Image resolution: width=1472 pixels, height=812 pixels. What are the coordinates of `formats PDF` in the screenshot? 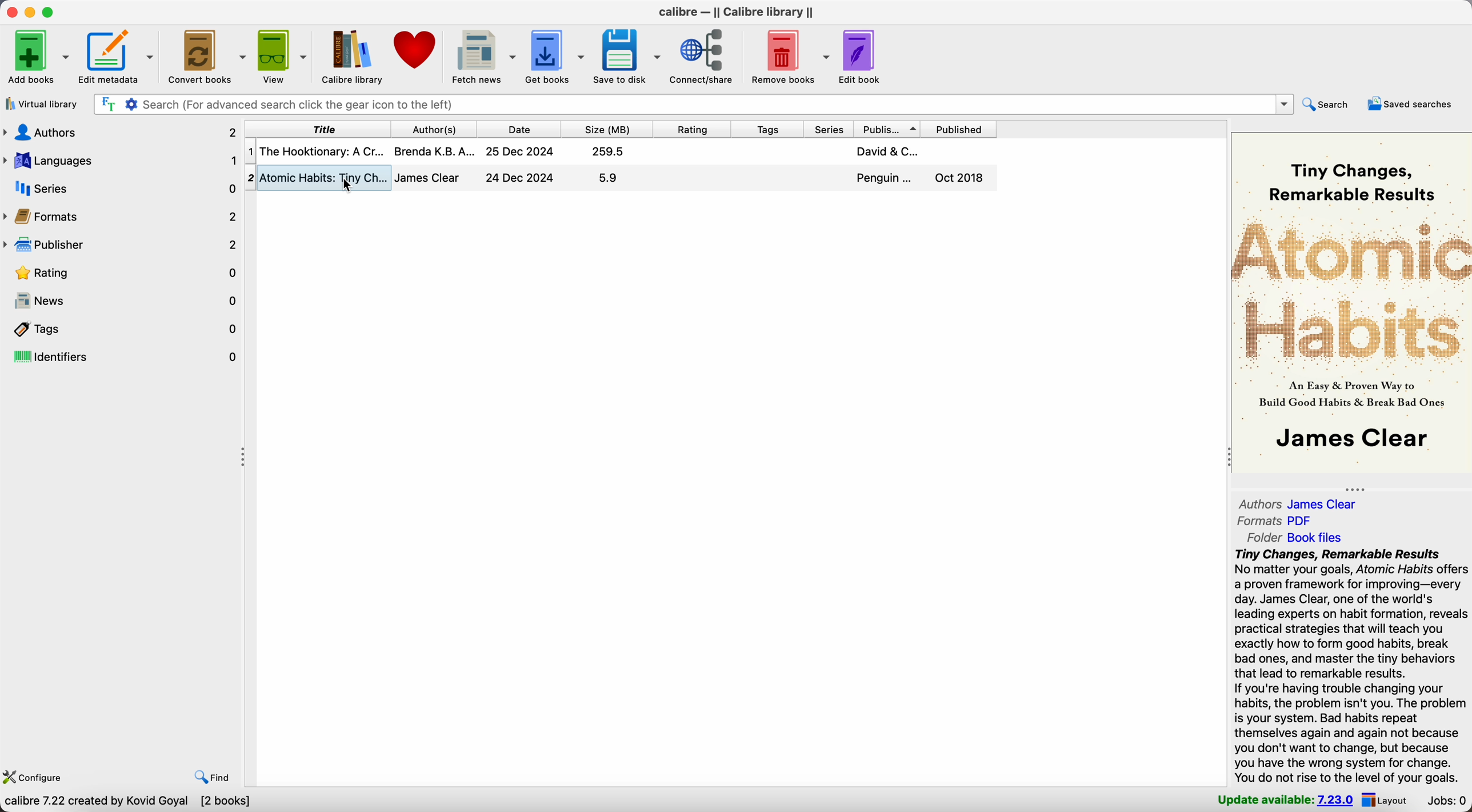 It's located at (1275, 521).